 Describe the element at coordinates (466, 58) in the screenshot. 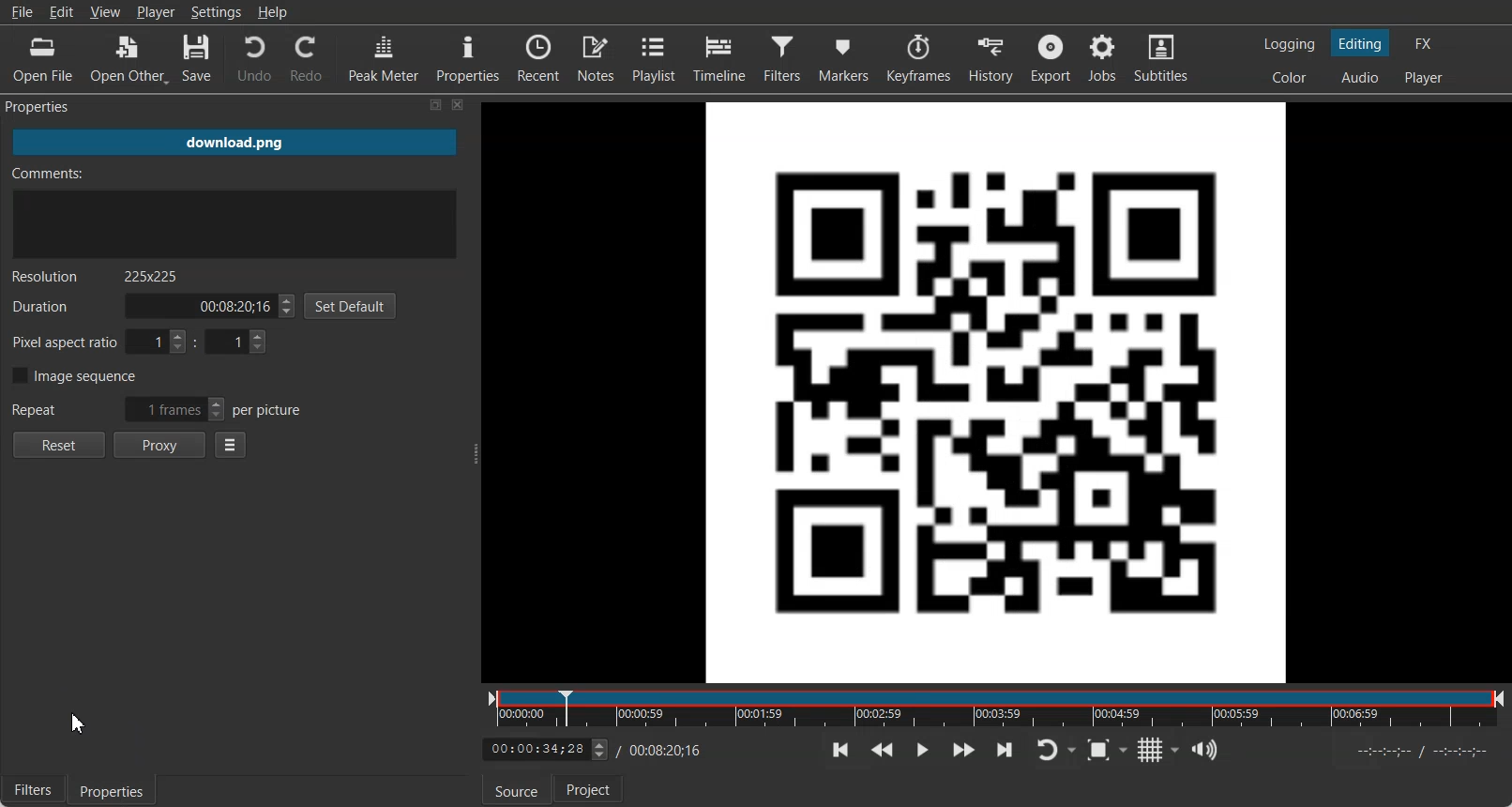

I see `Properties` at that location.